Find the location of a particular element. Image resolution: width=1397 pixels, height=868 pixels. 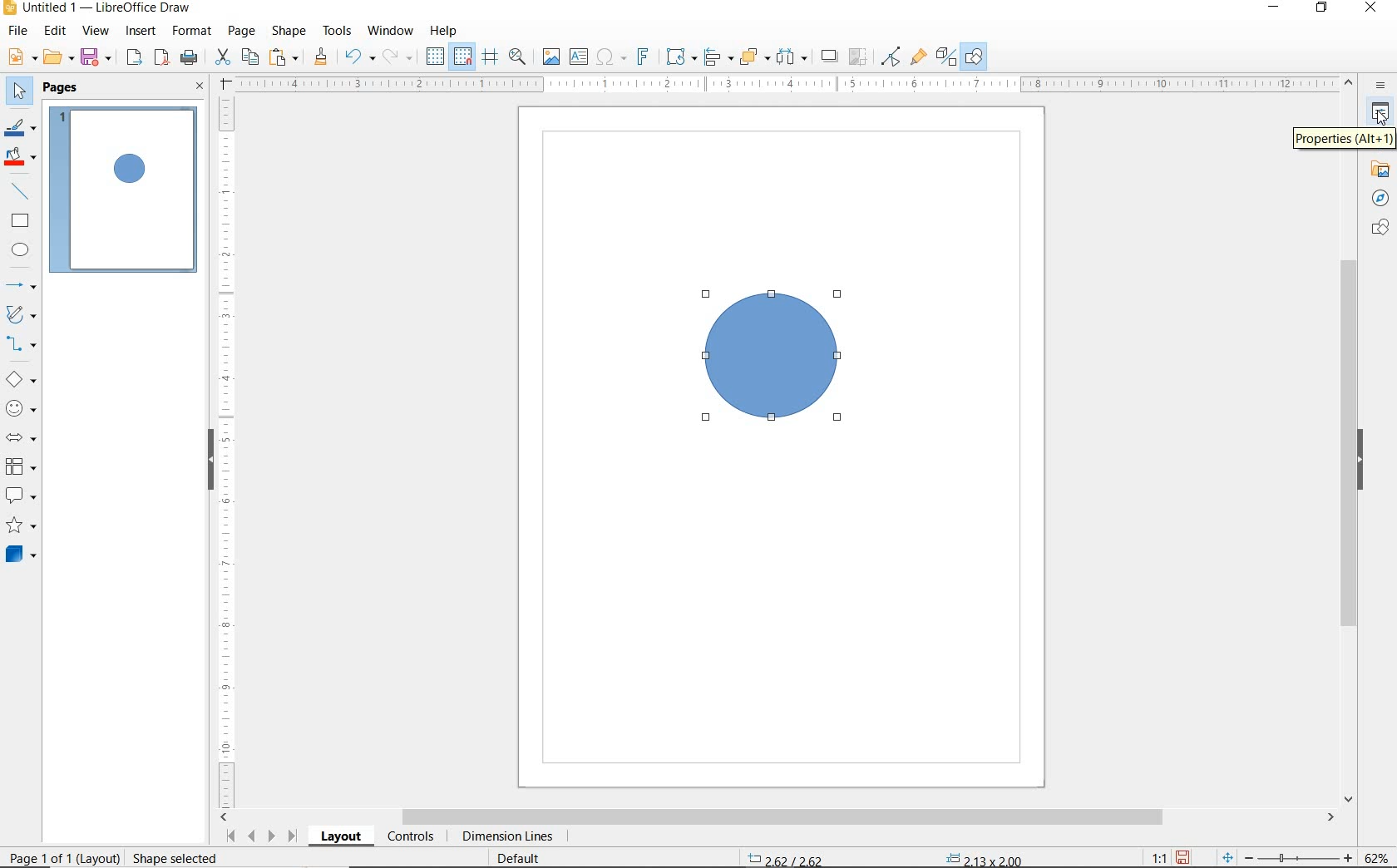

RECTANGLE is located at coordinates (22, 222).